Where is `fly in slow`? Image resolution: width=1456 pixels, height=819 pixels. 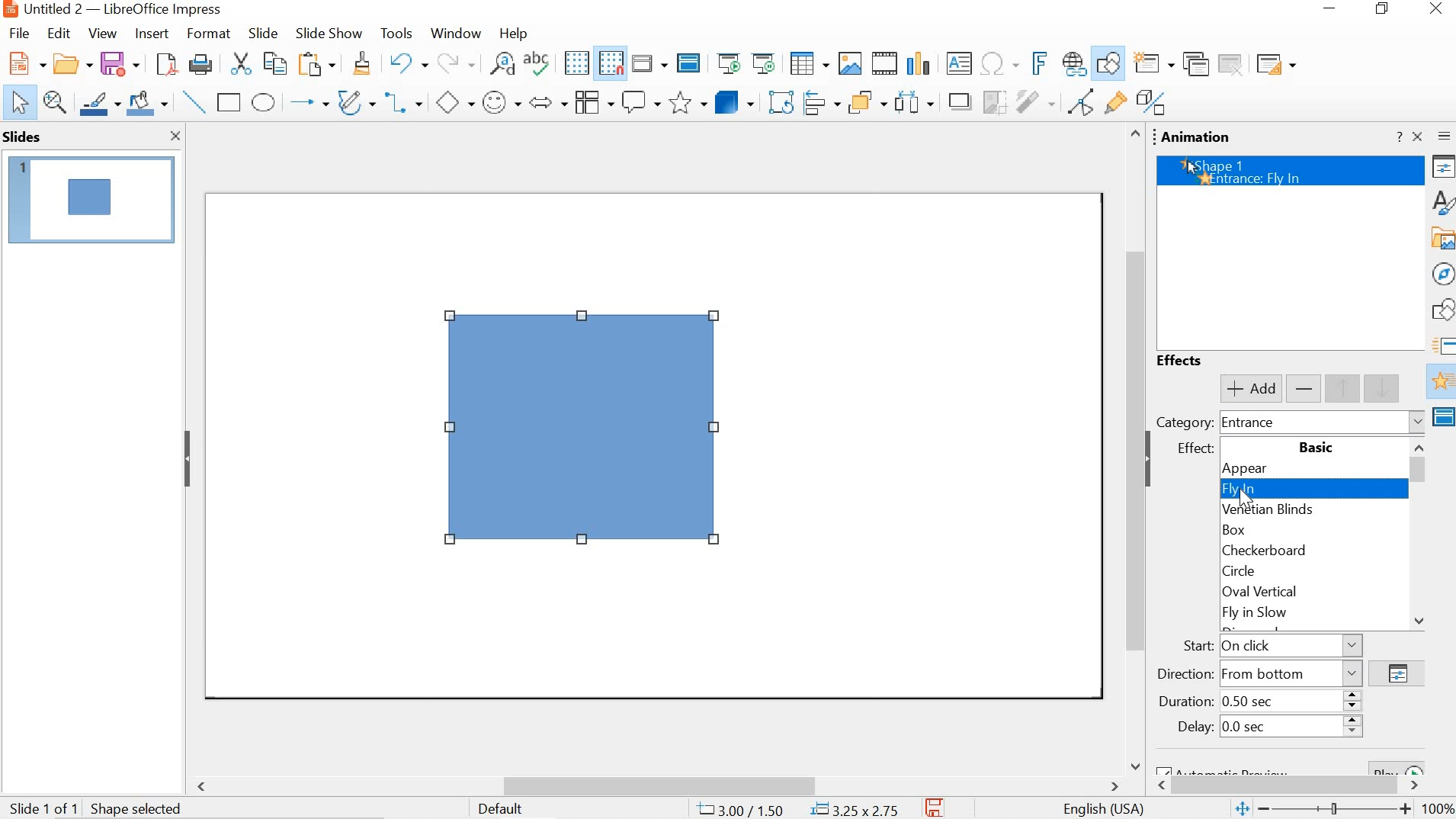 fly in slow is located at coordinates (1292, 612).